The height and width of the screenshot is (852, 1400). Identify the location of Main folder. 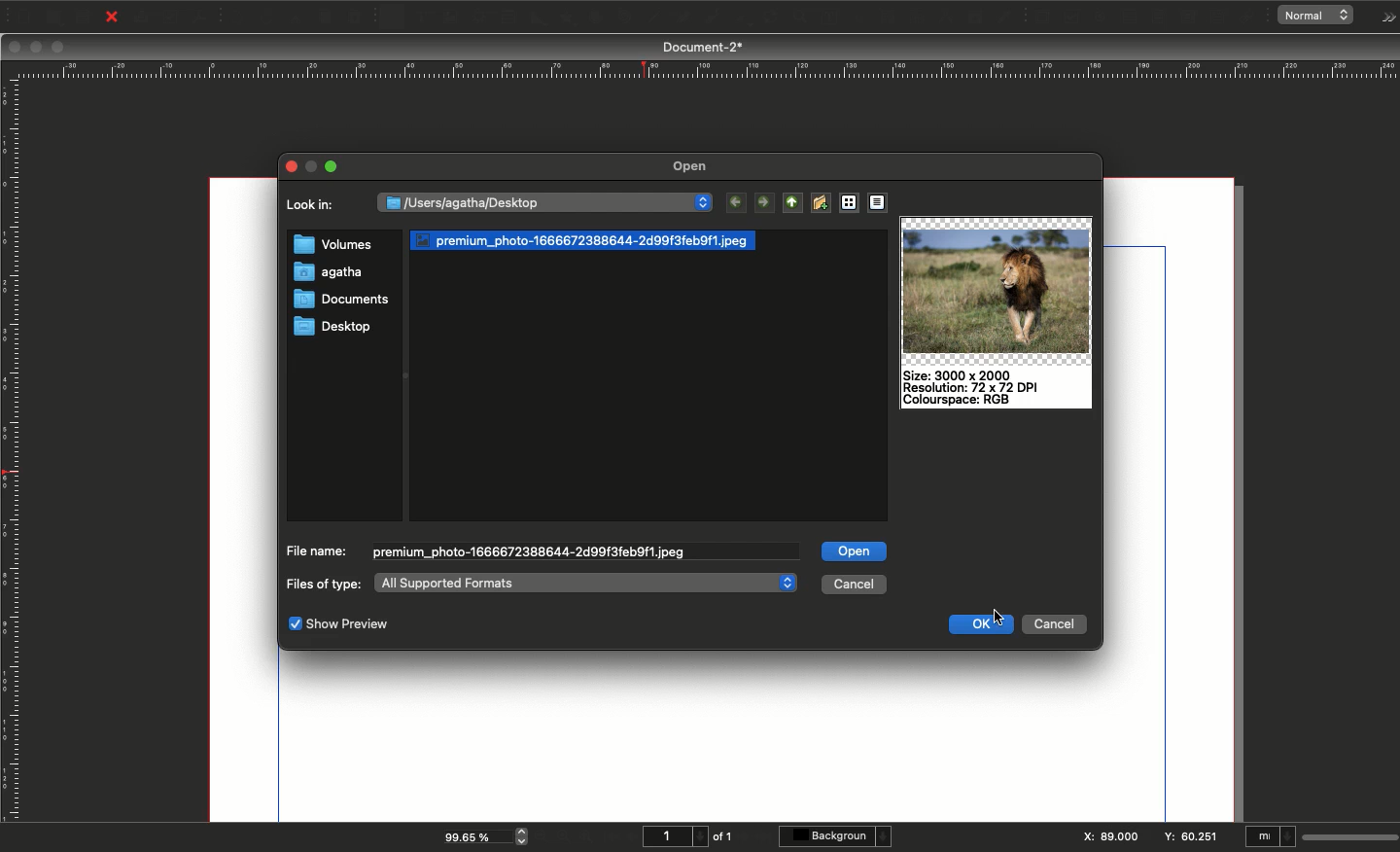
(788, 202).